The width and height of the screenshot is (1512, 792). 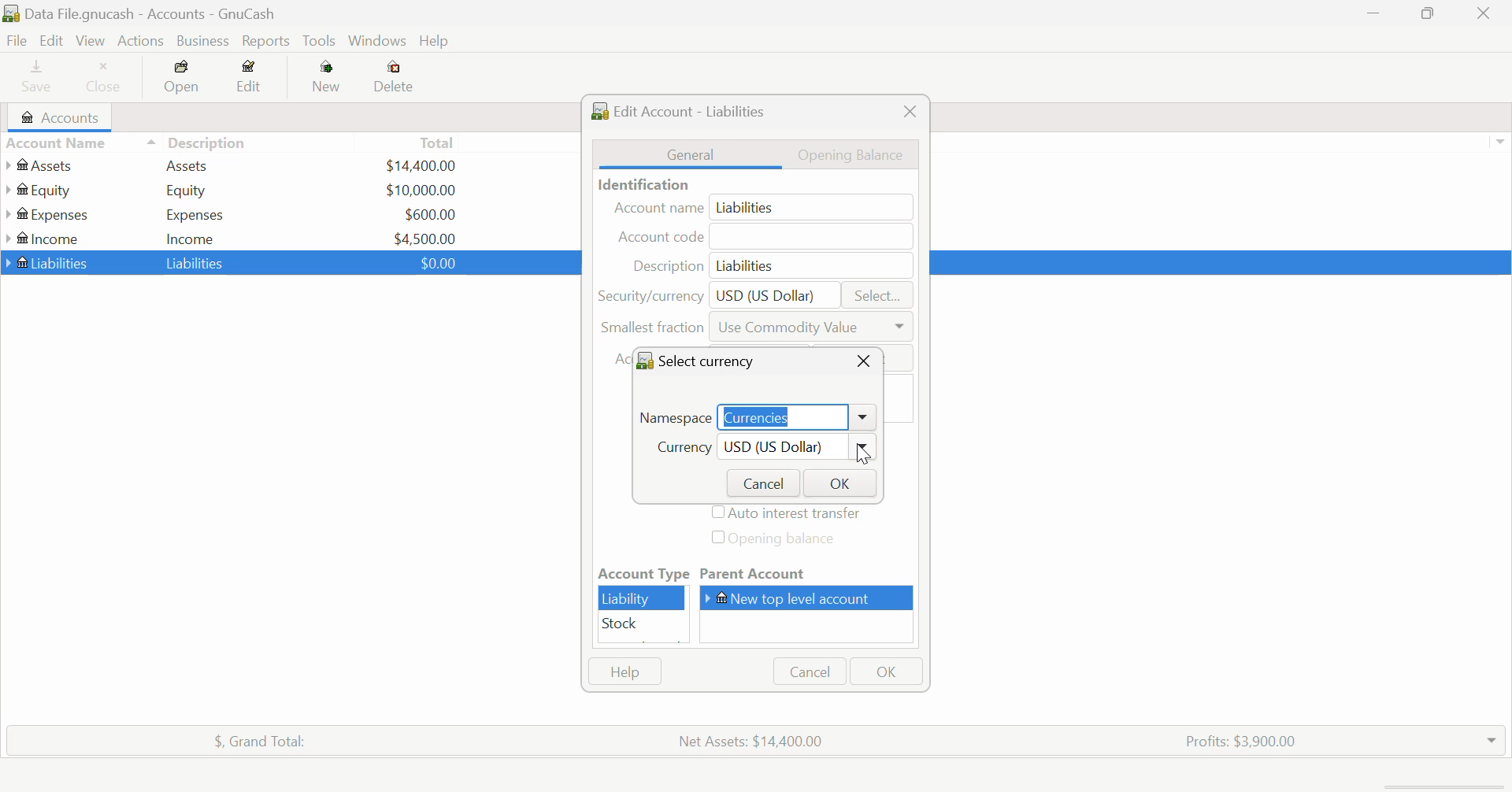 What do you see at coordinates (250, 80) in the screenshot?
I see `Edit` at bounding box center [250, 80].